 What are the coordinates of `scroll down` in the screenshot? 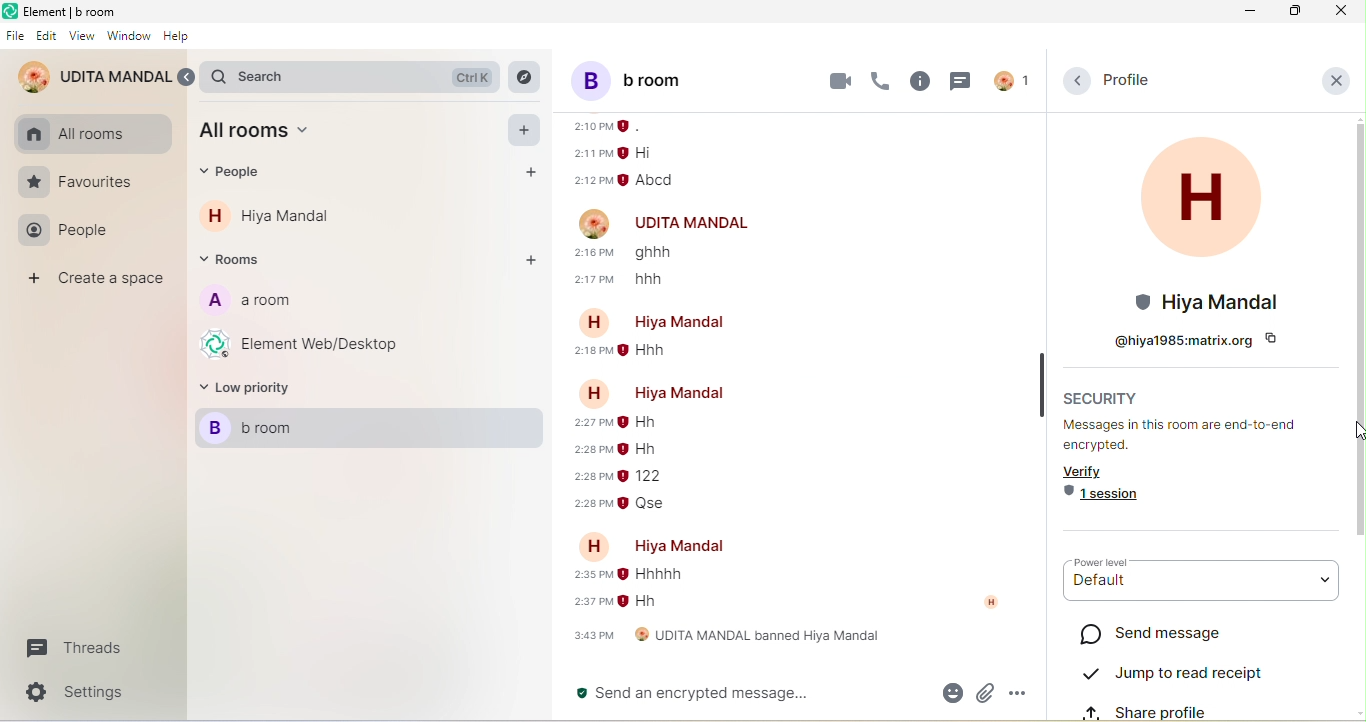 It's located at (1357, 713).